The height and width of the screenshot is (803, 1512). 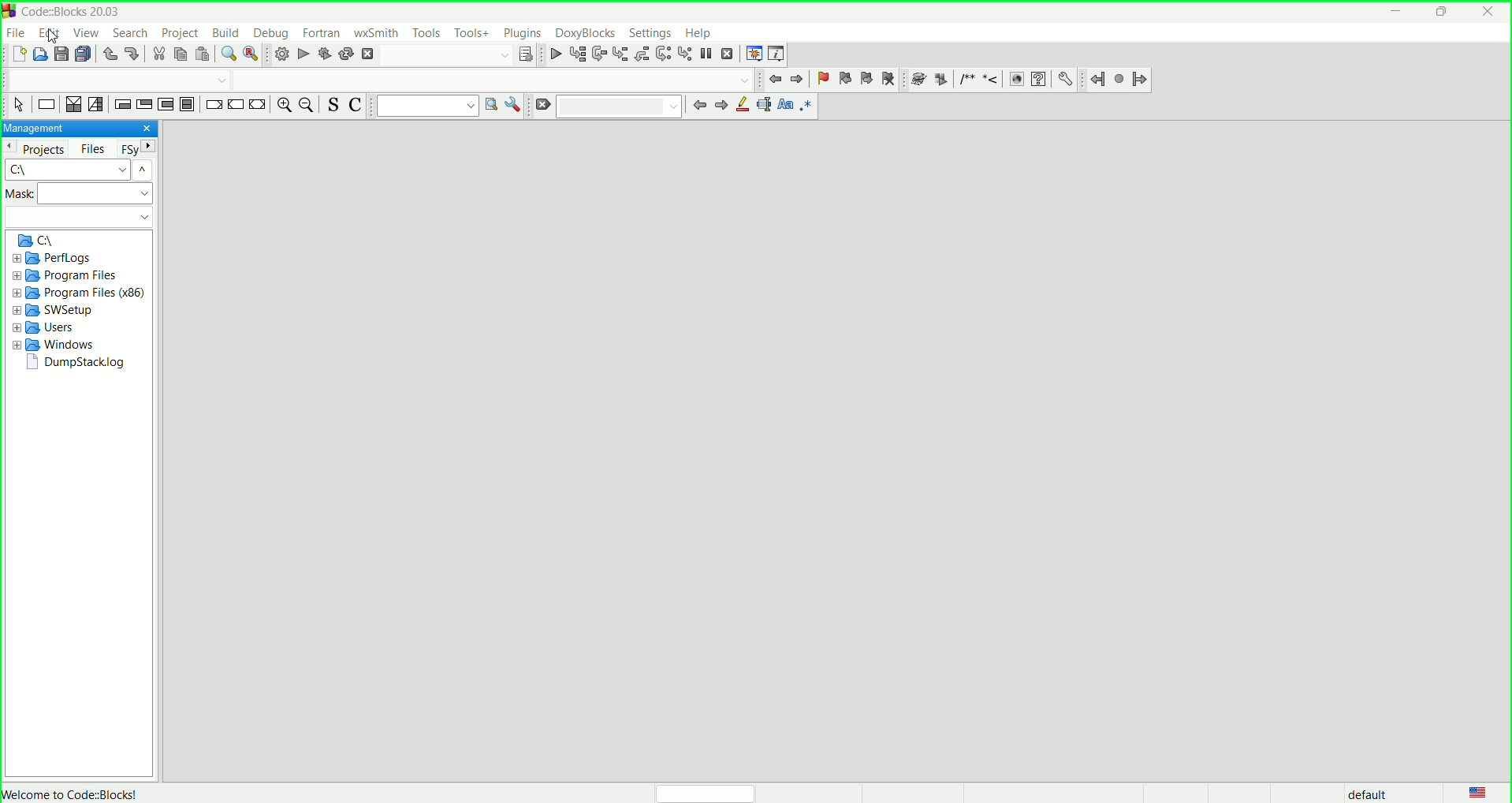 What do you see at coordinates (51, 327) in the screenshot?
I see `users` at bounding box center [51, 327].